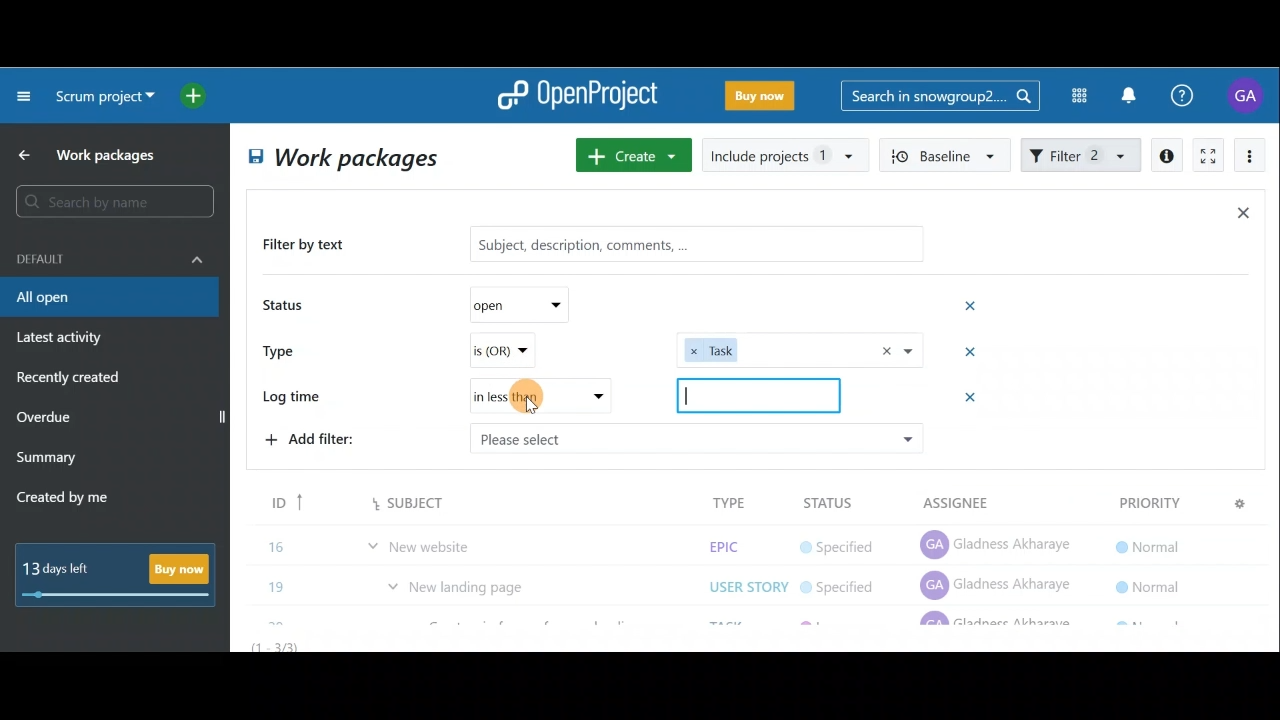 This screenshot has height=720, width=1280. Describe the element at coordinates (940, 94) in the screenshot. I see `Search bar` at that location.